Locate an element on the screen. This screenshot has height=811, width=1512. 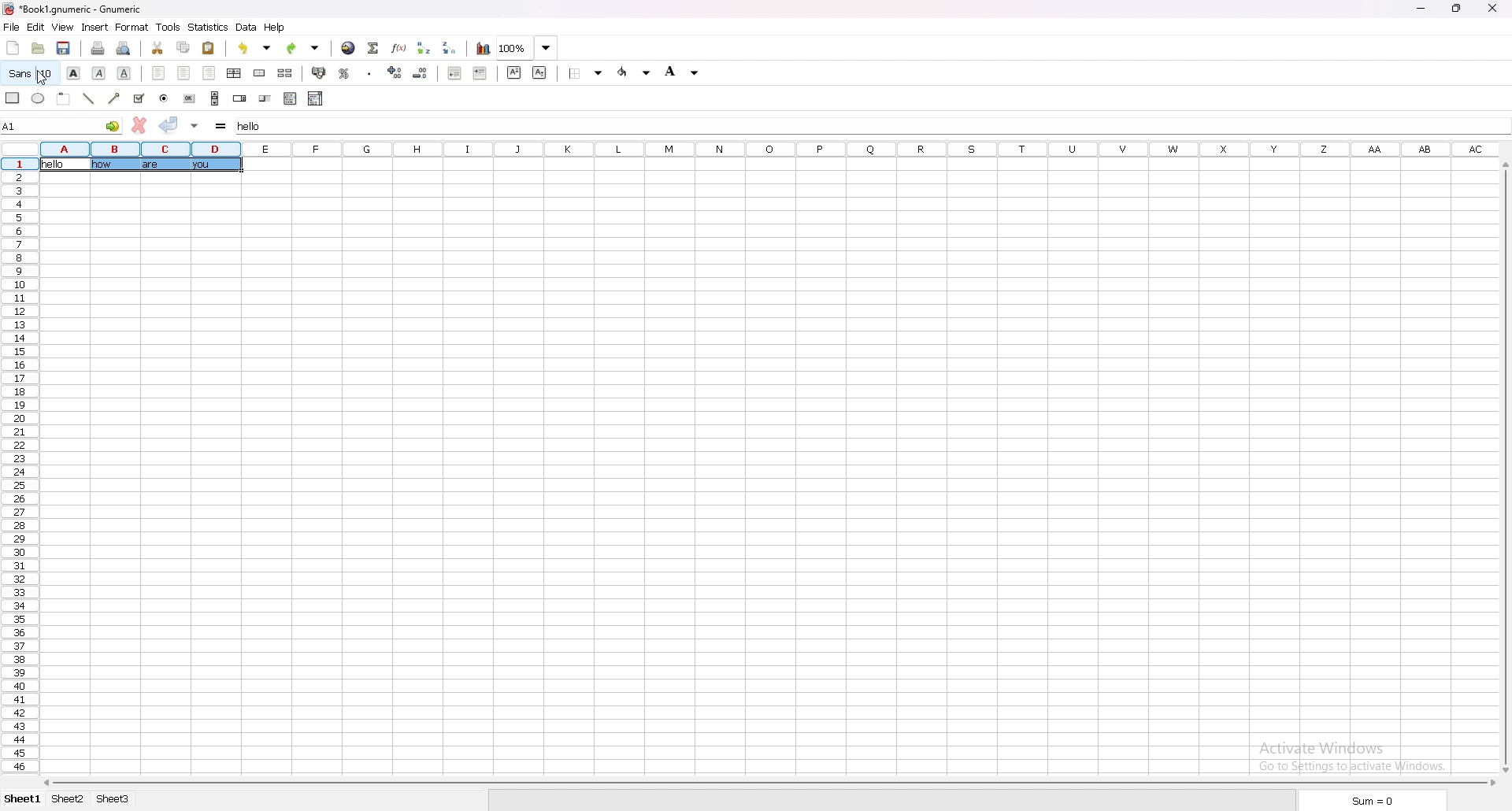
view is located at coordinates (63, 28).